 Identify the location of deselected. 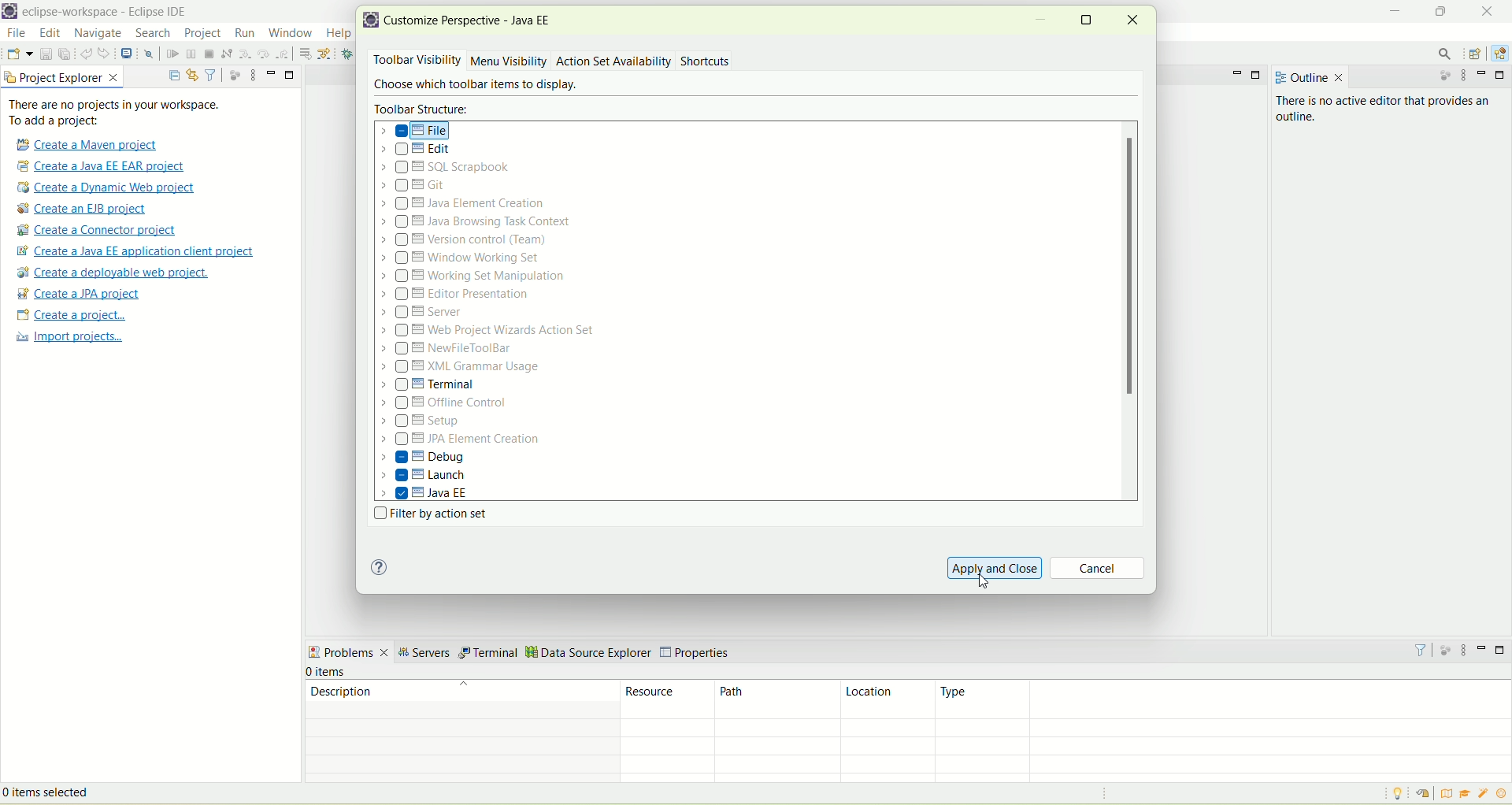
(401, 151).